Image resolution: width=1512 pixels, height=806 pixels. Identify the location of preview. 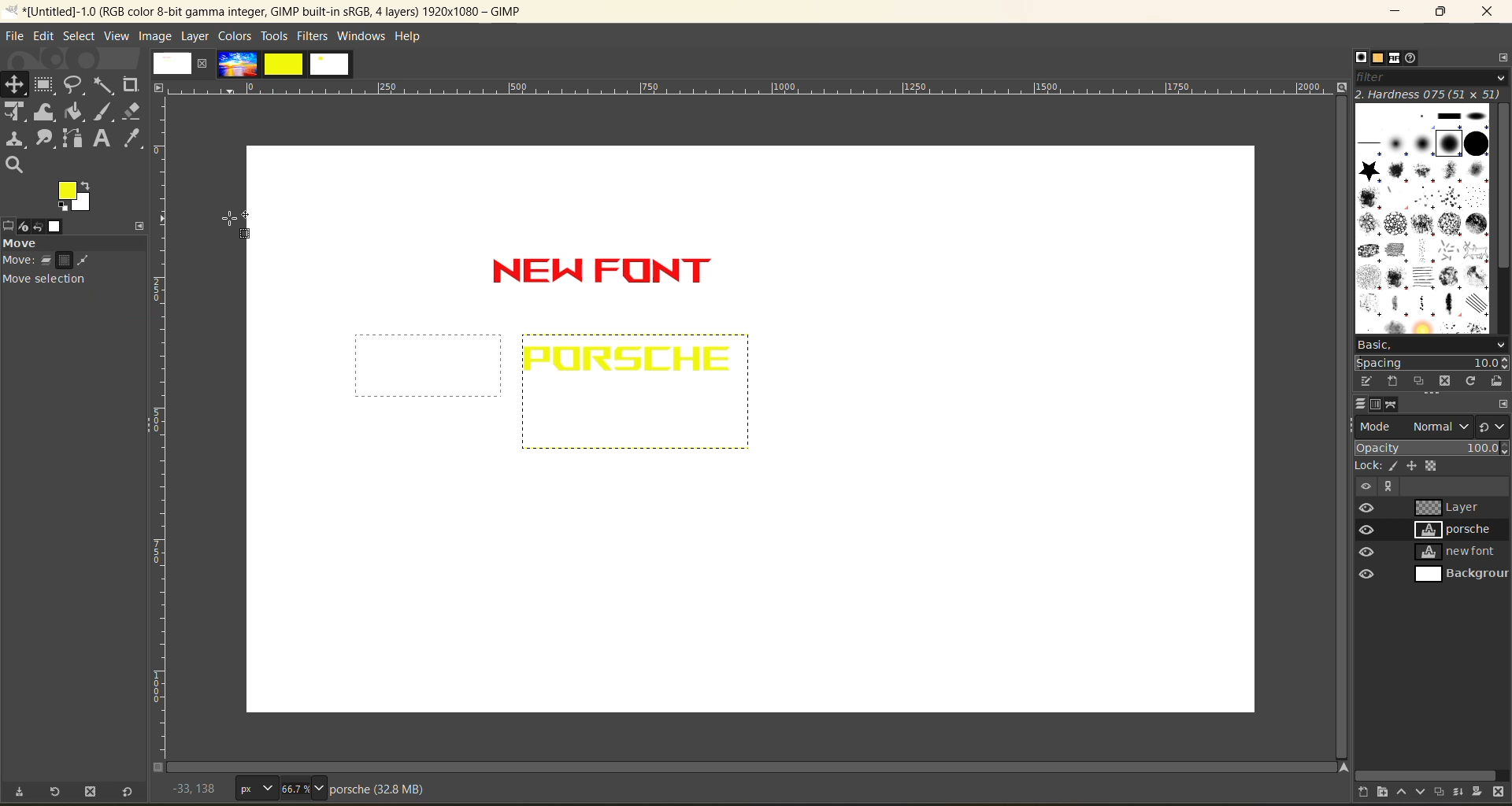
(1366, 545).